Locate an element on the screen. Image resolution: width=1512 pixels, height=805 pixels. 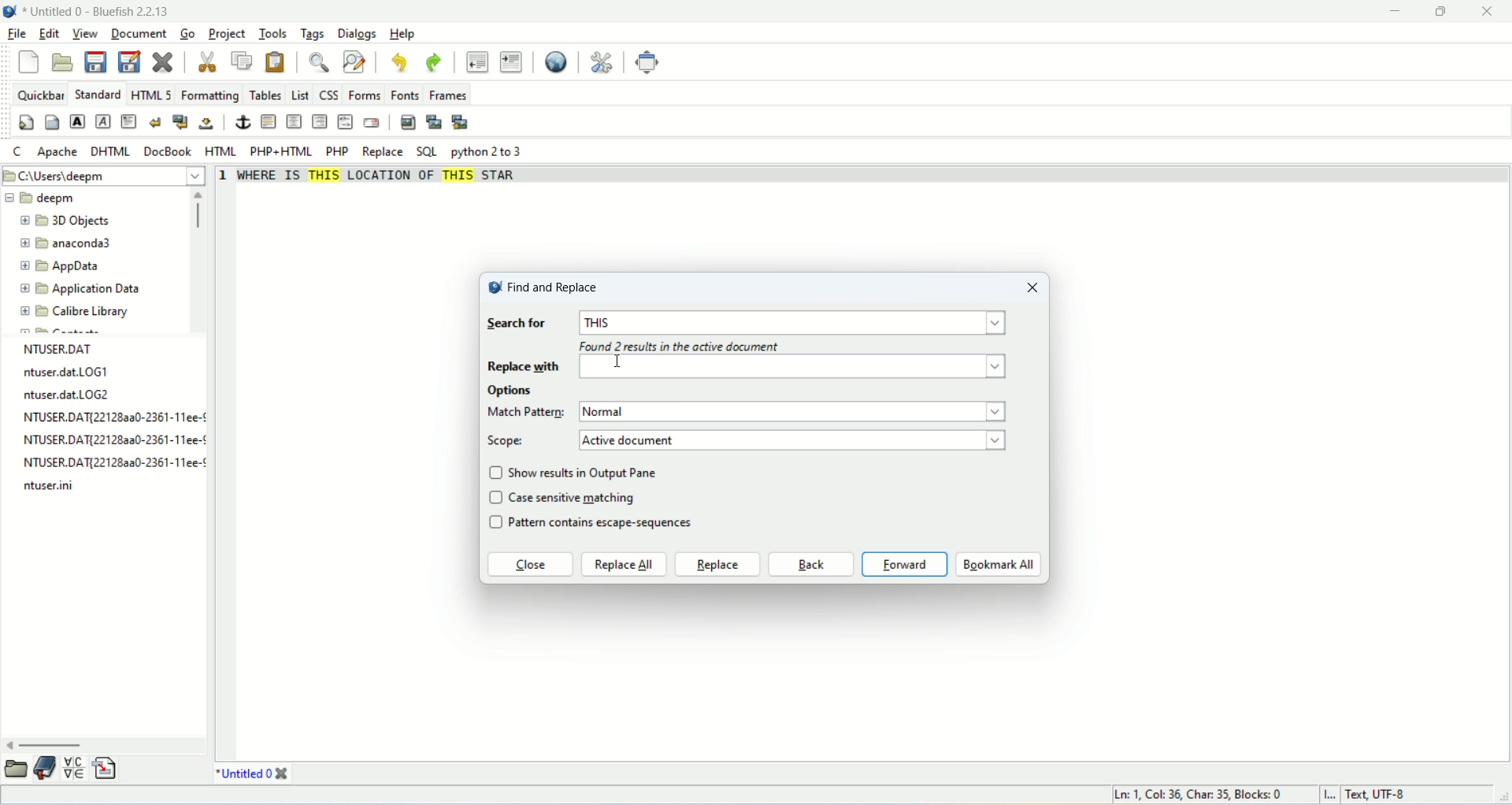
css is located at coordinates (328, 95).